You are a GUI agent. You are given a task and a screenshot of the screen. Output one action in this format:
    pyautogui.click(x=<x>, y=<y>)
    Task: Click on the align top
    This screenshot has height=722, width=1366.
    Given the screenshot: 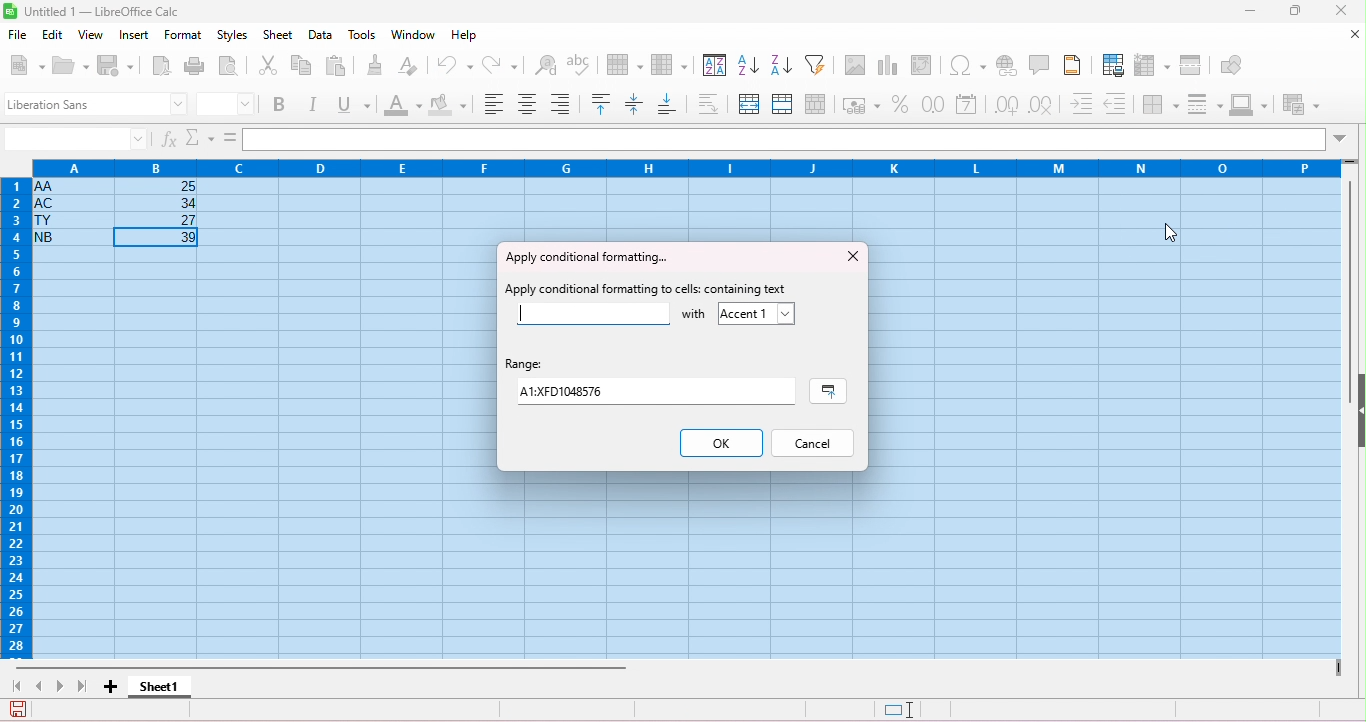 What is the action you would take?
    pyautogui.click(x=603, y=103)
    